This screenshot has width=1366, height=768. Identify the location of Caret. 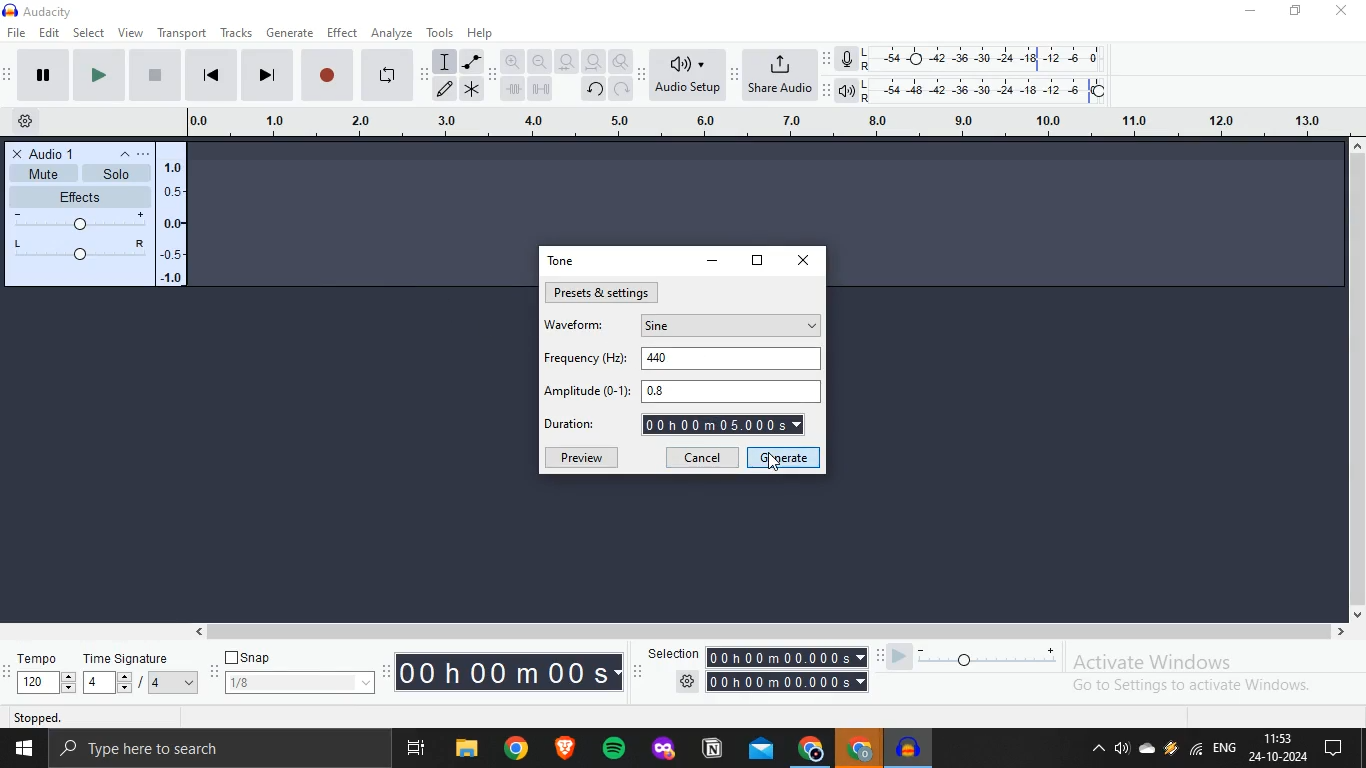
(120, 154).